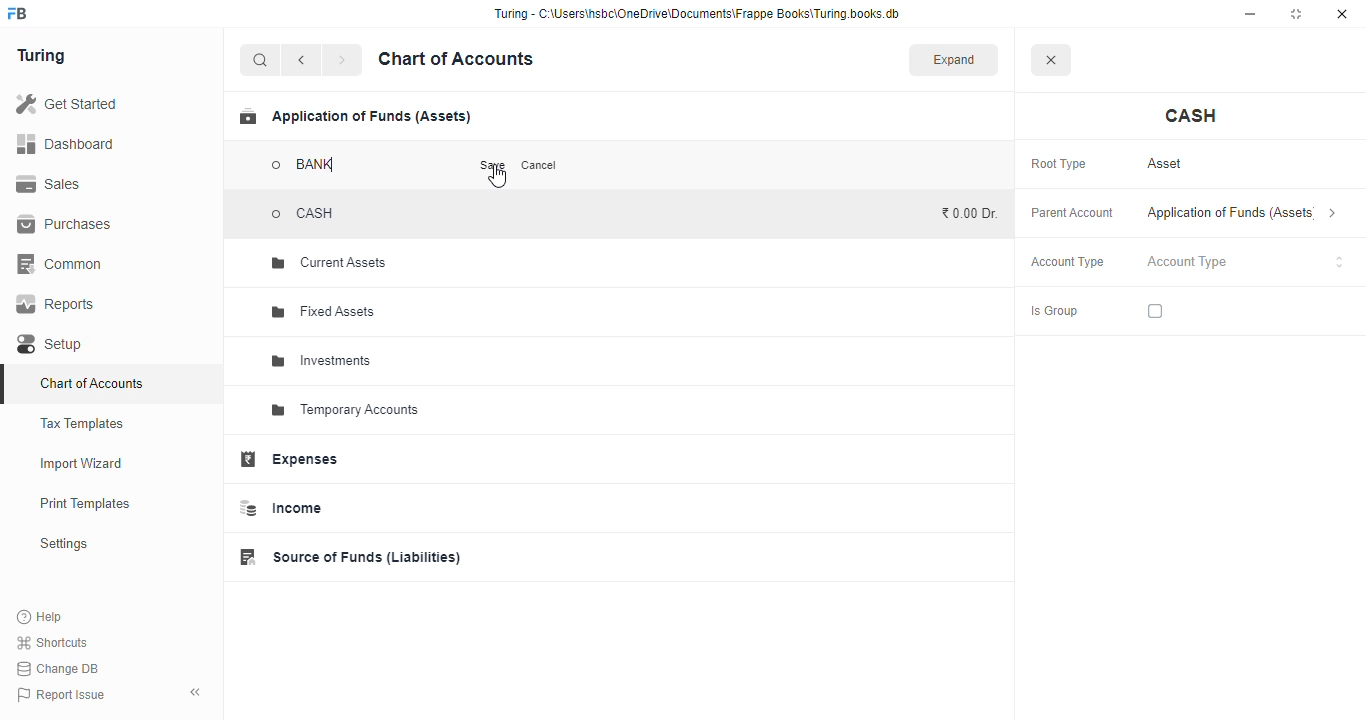 The height and width of the screenshot is (720, 1366). I want to click on get started, so click(66, 103).